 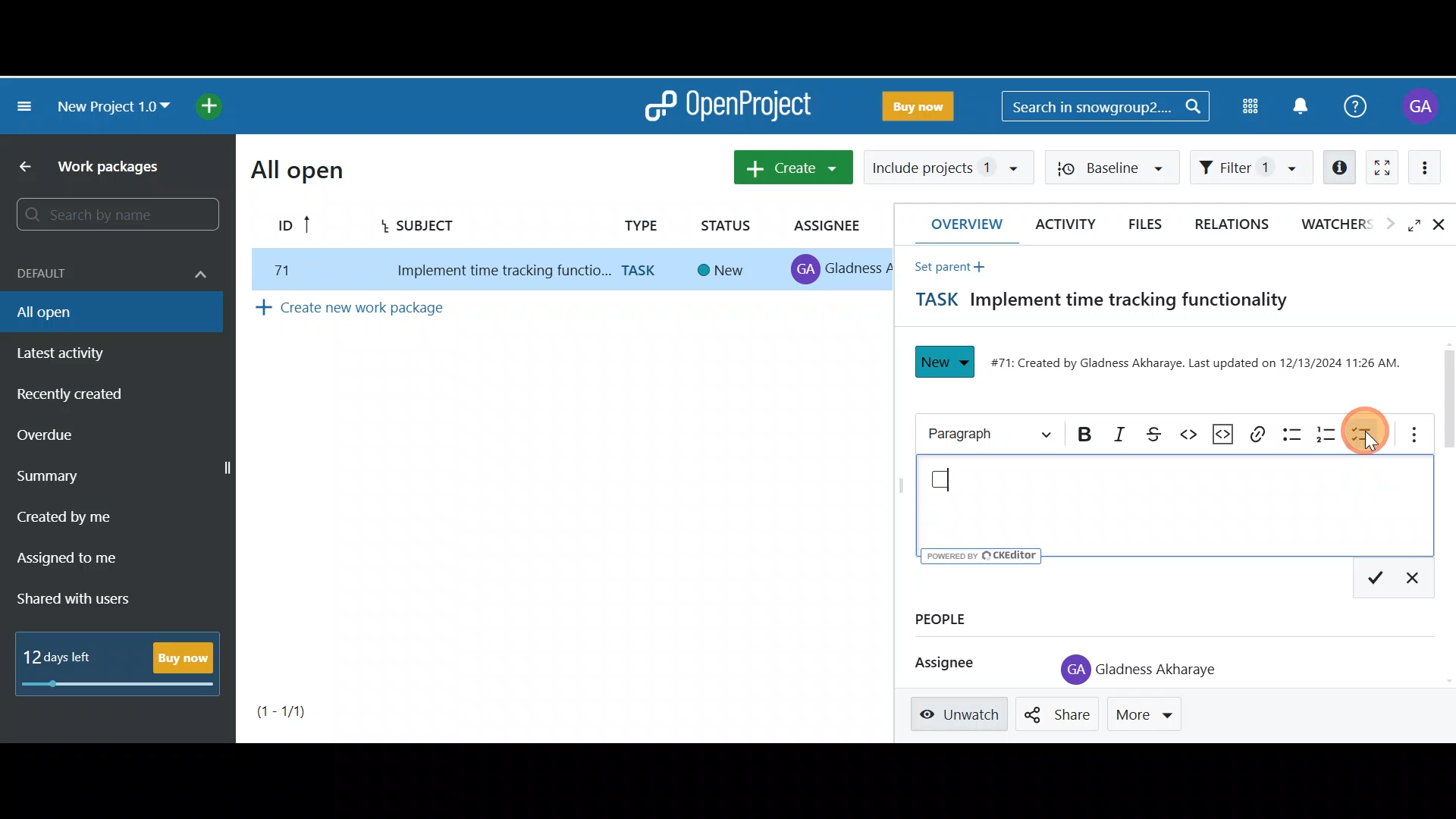 What do you see at coordinates (290, 227) in the screenshot?
I see `ID` at bounding box center [290, 227].